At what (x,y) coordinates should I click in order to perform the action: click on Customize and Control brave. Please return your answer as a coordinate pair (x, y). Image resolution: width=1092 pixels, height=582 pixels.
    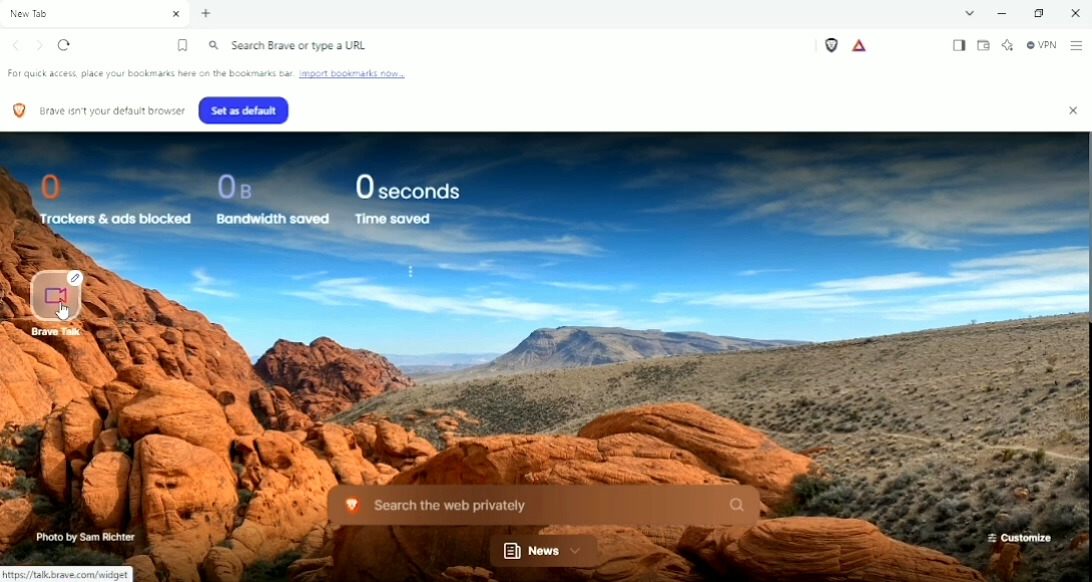
    Looking at the image, I should click on (1078, 46).